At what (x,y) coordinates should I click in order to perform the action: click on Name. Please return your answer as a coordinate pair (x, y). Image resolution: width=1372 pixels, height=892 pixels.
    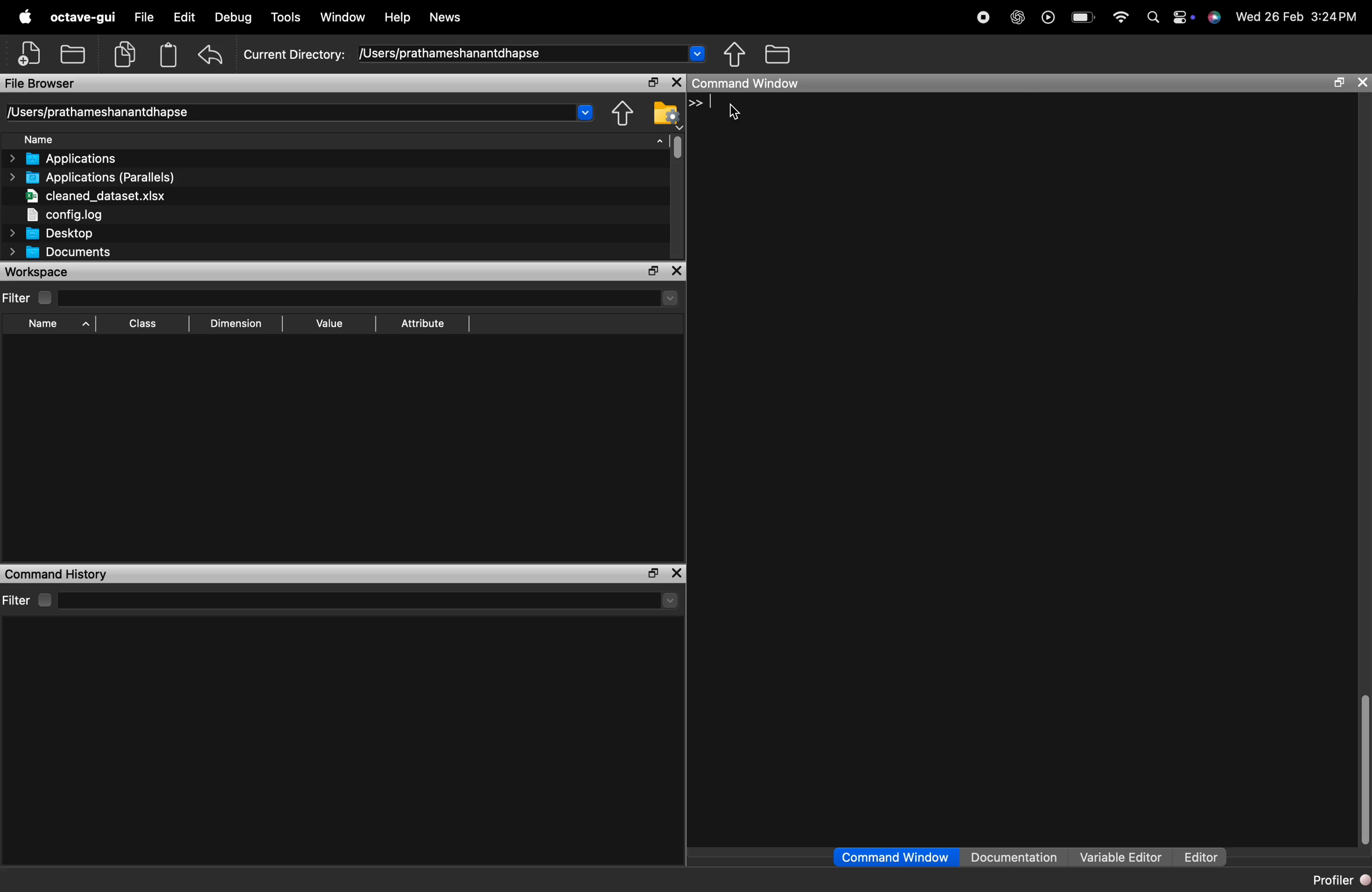
    Looking at the image, I should click on (343, 139).